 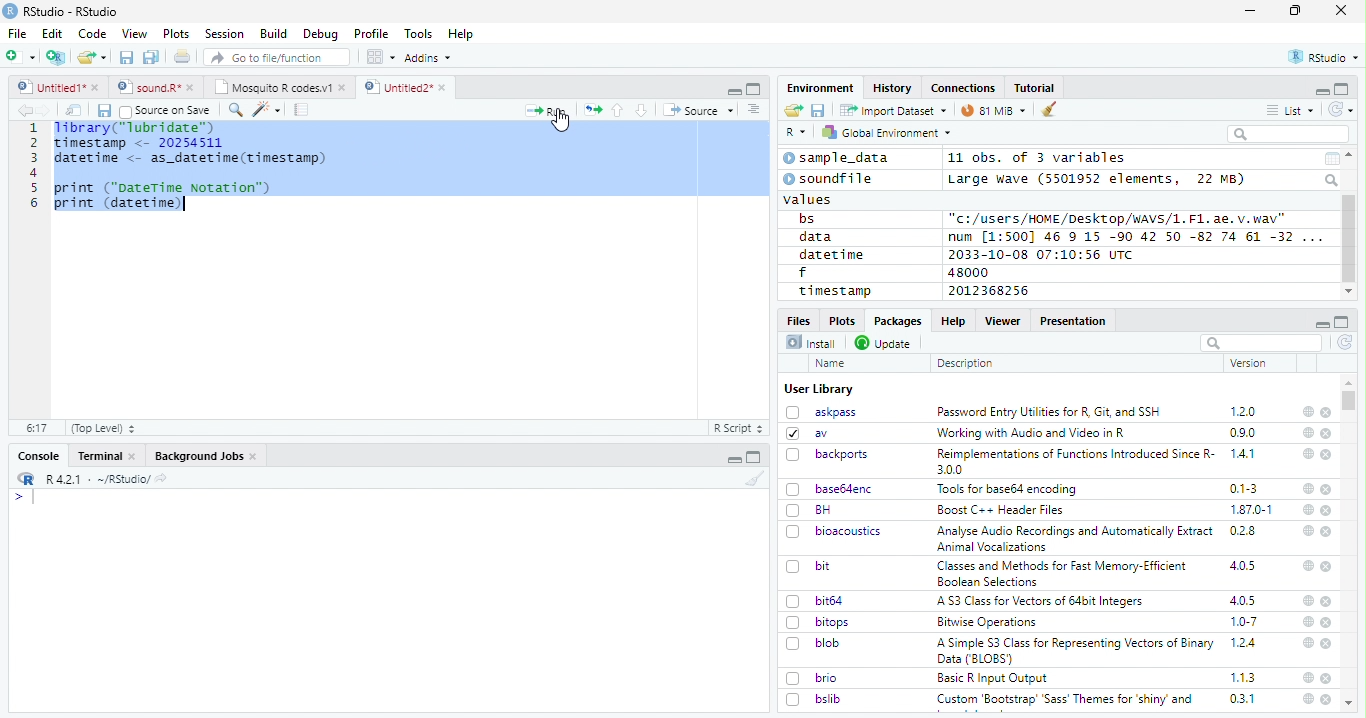 What do you see at coordinates (992, 291) in the screenshot?
I see `2012368256` at bounding box center [992, 291].